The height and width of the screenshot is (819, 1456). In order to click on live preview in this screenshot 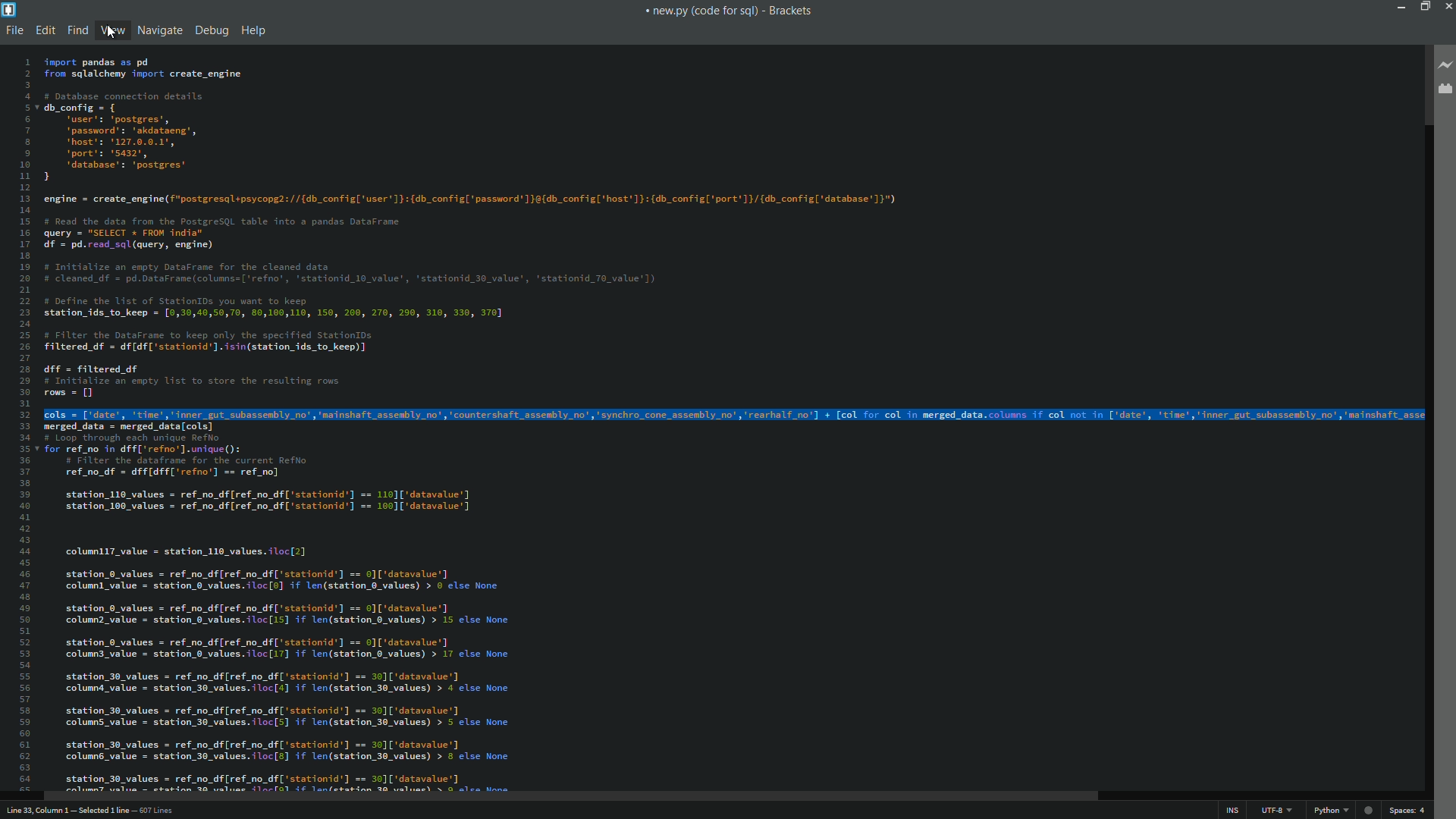, I will do `click(1447, 66)`.